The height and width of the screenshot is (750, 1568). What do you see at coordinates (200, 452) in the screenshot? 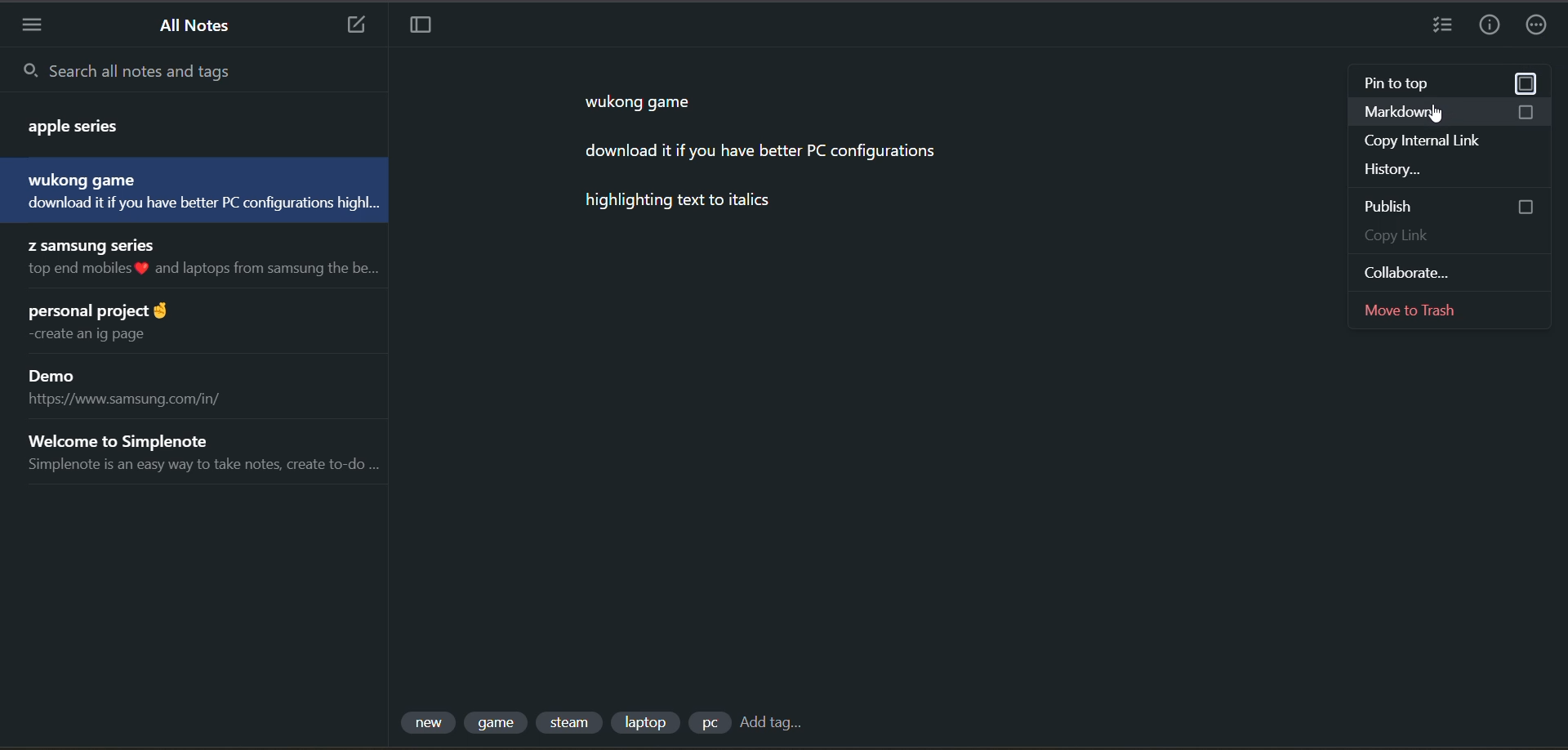
I see `note title and preview` at bounding box center [200, 452].